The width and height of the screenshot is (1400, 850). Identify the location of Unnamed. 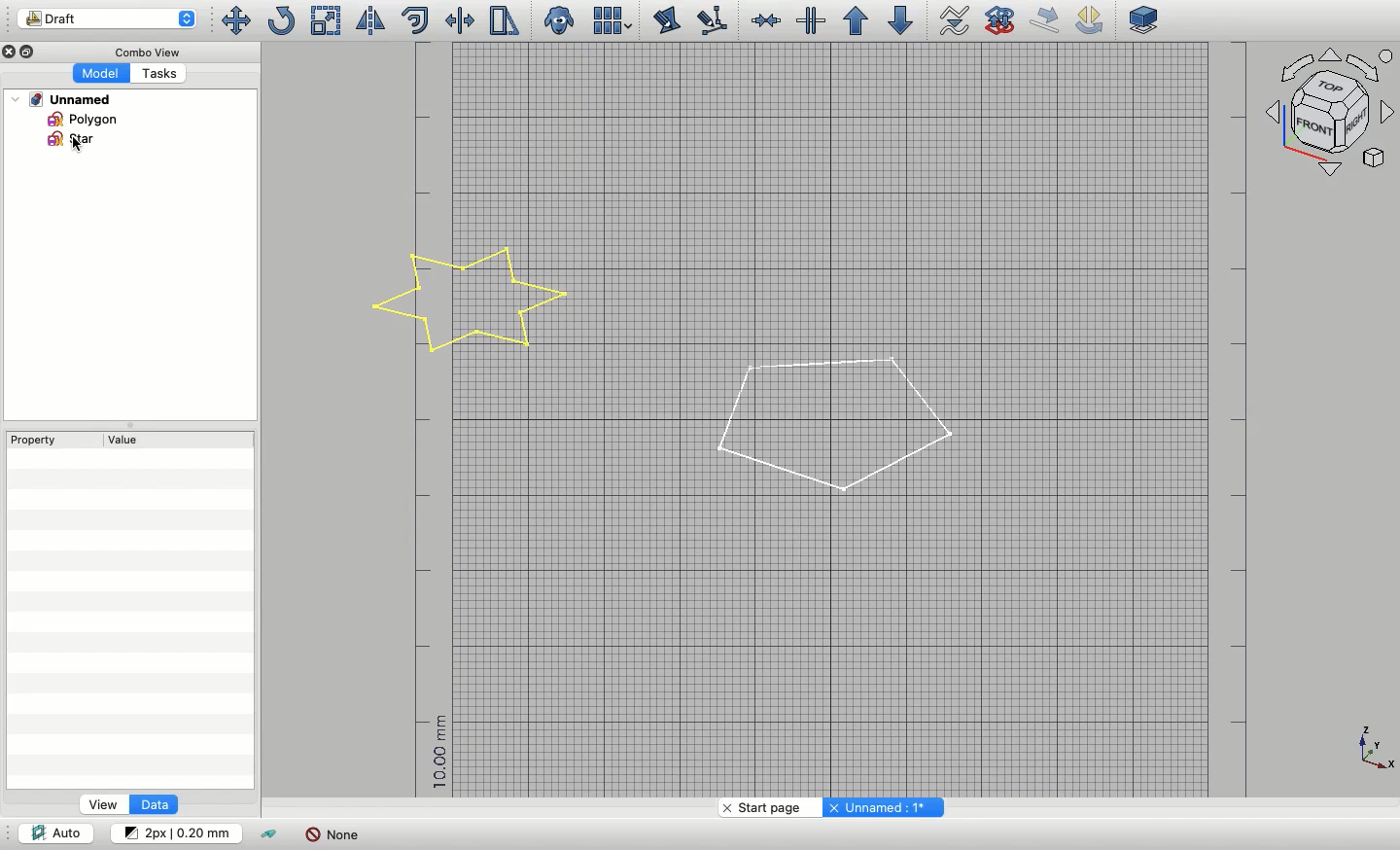
(62, 99).